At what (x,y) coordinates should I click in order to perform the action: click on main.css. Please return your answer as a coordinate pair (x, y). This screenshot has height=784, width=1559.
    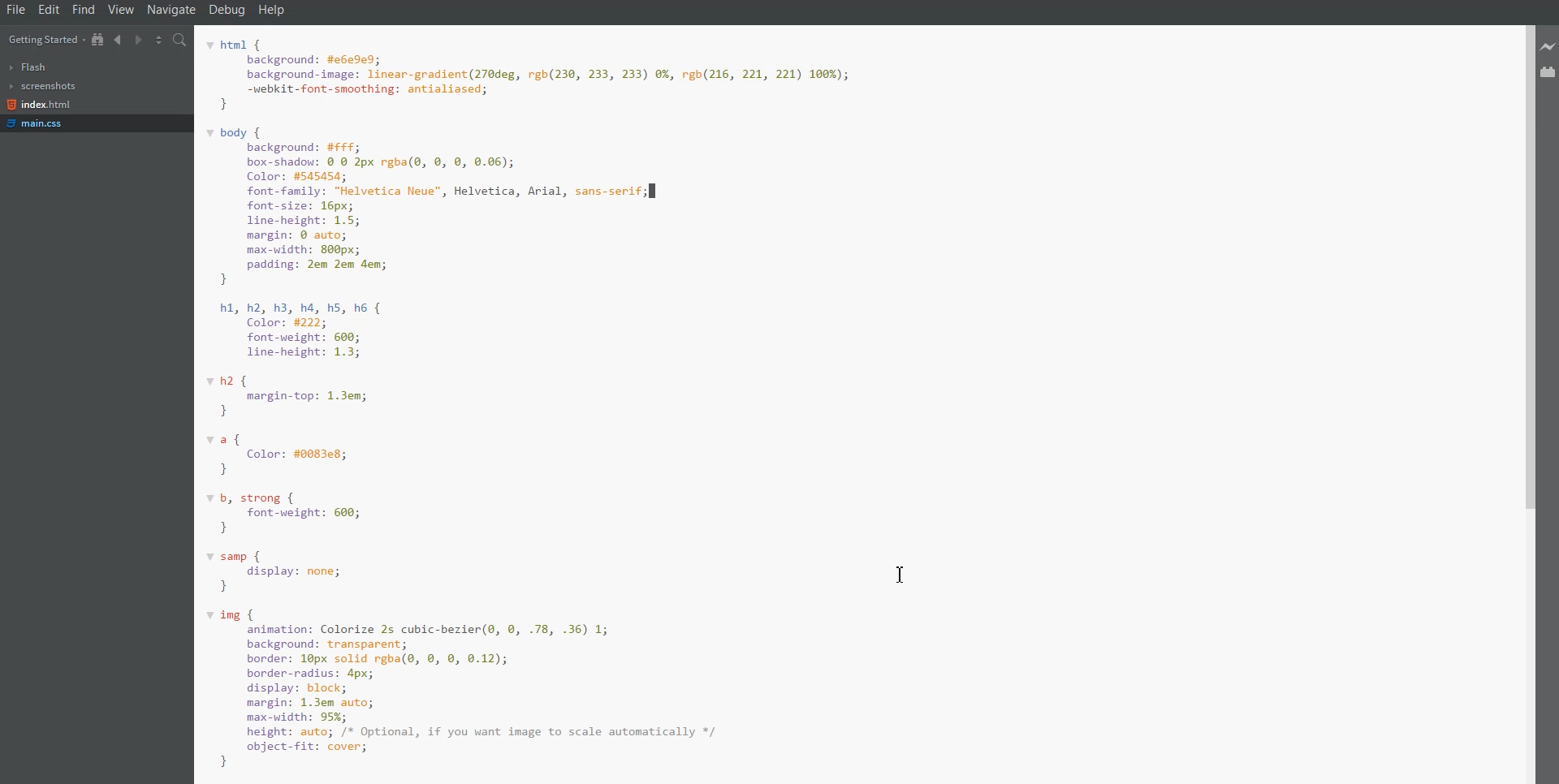
    Looking at the image, I should click on (40, 123).